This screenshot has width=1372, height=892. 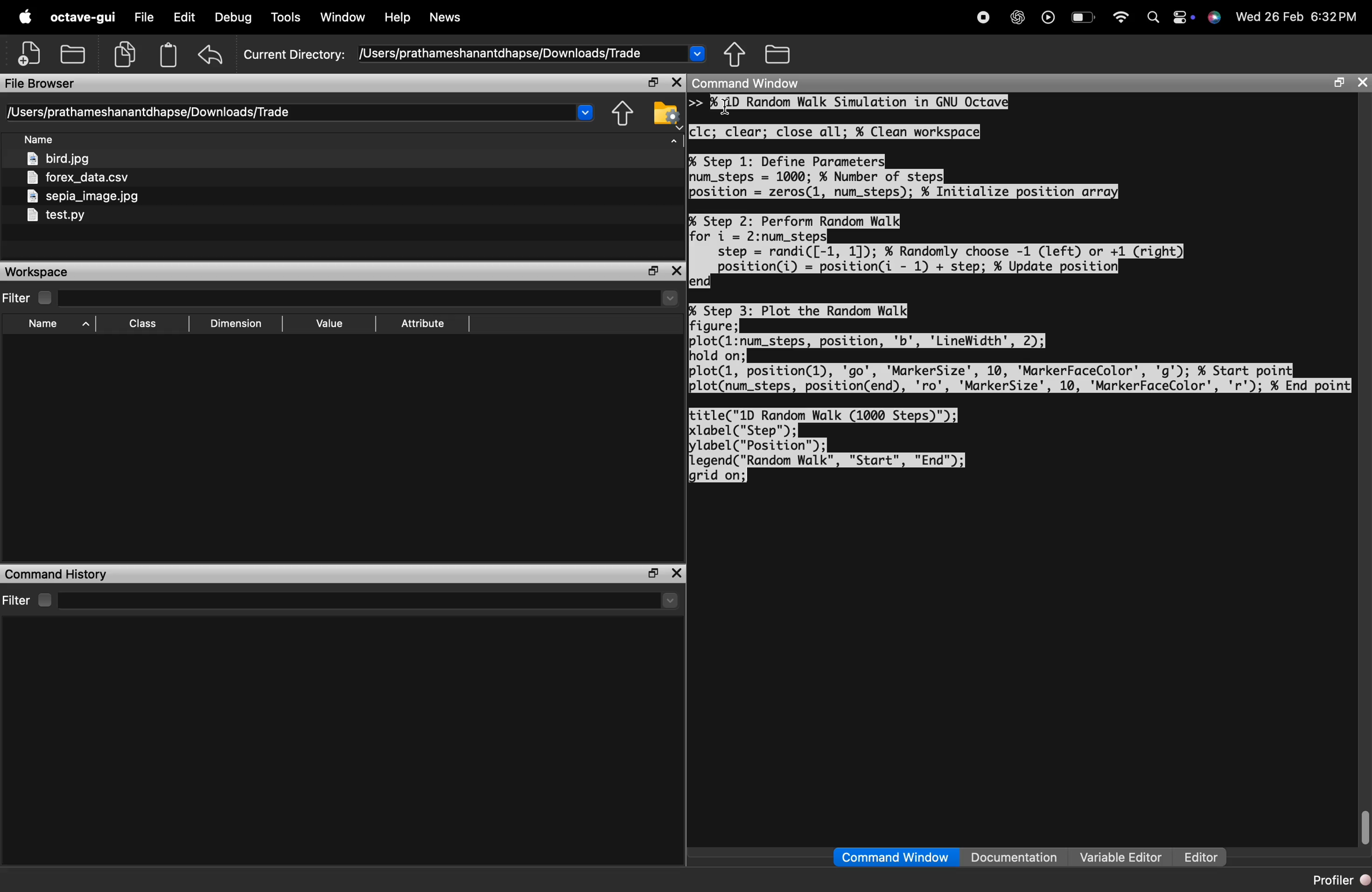 I want to click on record, so click(x=982, y=16).